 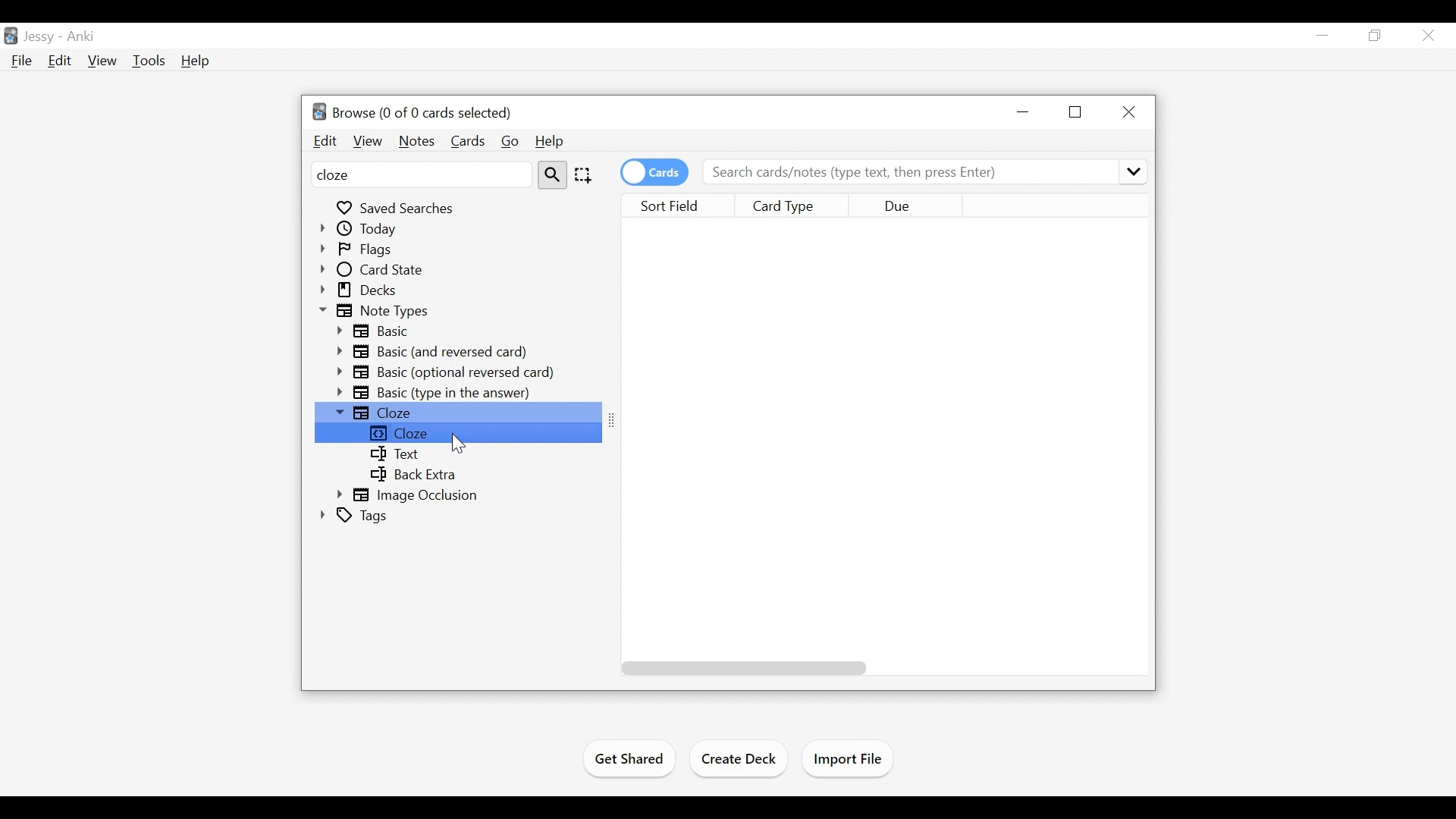 I want to click on Today, so click(x=361, y=229).